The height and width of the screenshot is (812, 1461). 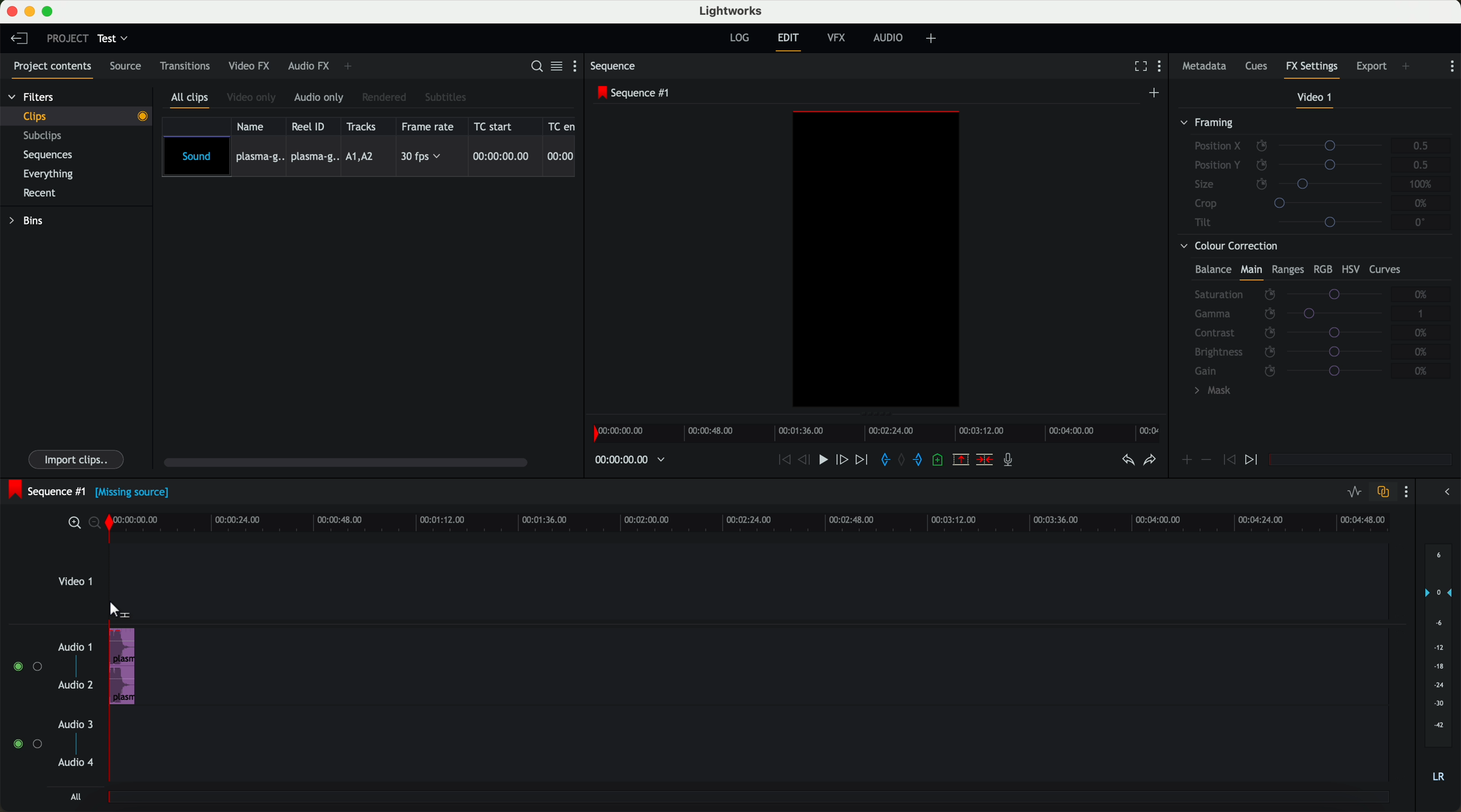 What do you see at coordinates (782, 460) in the screenshot?
I see `move backward` at bounding box center [782, 460].